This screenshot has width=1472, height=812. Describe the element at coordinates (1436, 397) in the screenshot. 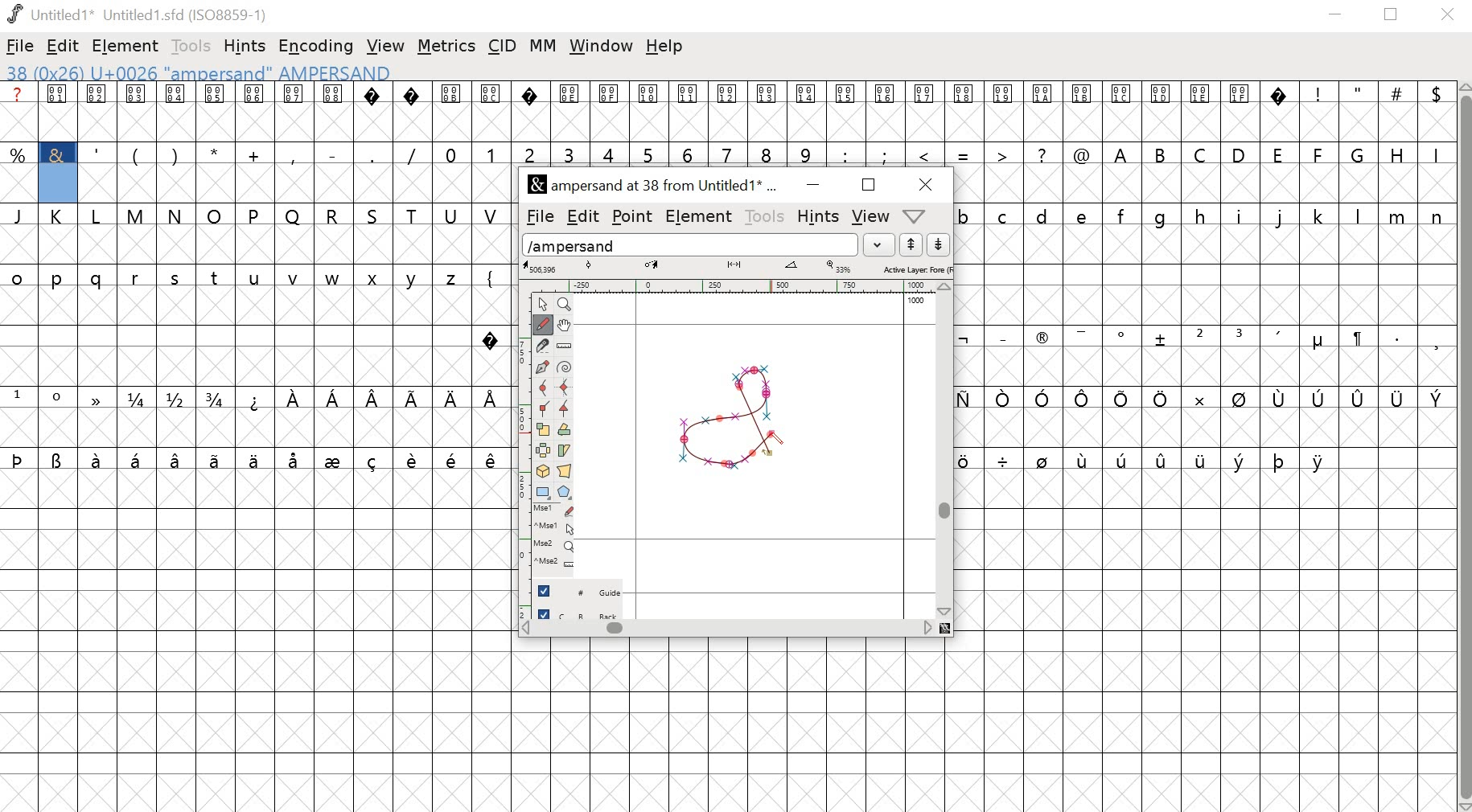

I see `symbol` at that location.